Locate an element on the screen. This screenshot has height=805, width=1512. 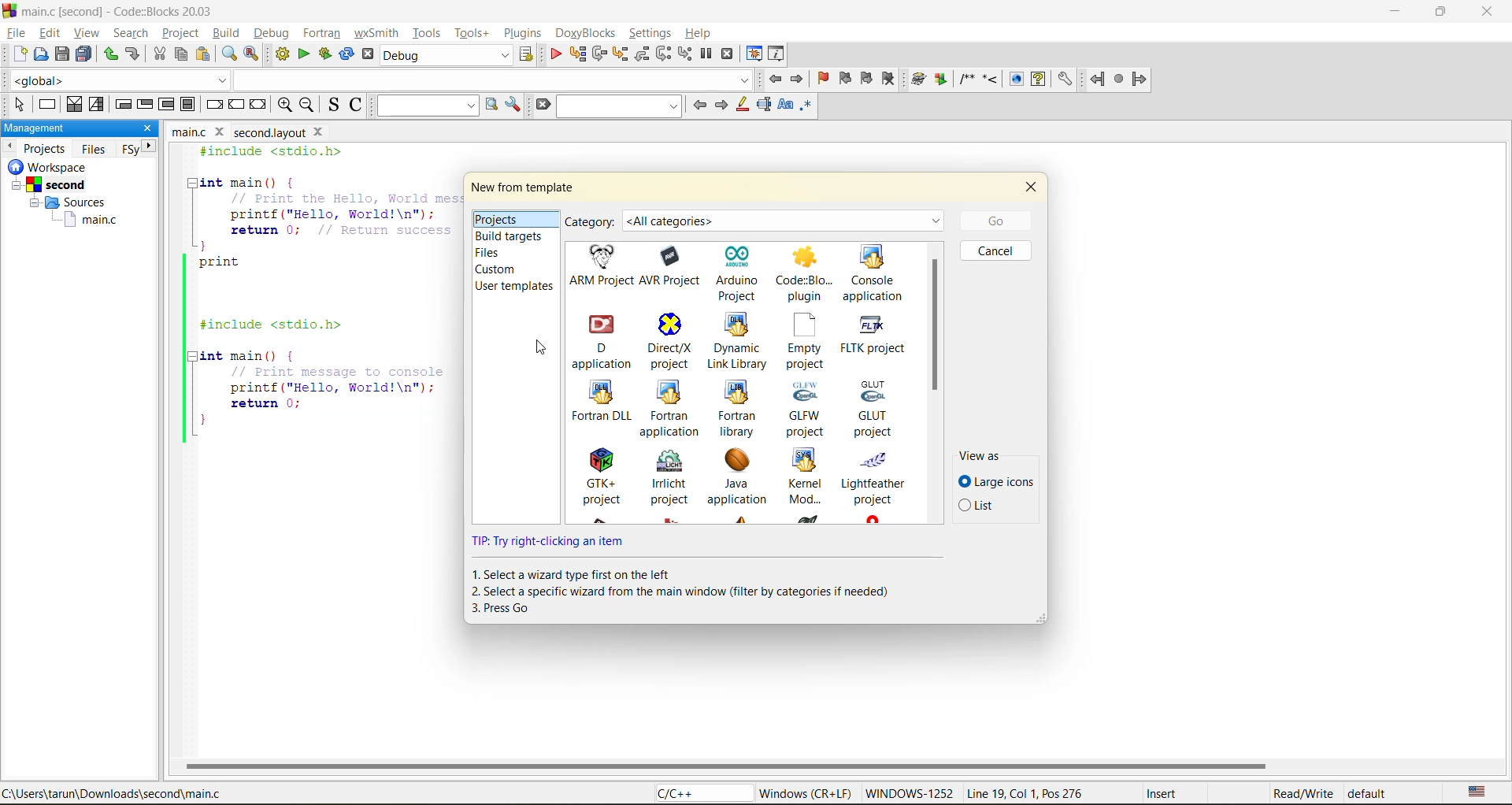
view as is located at coordinates (982, 454).